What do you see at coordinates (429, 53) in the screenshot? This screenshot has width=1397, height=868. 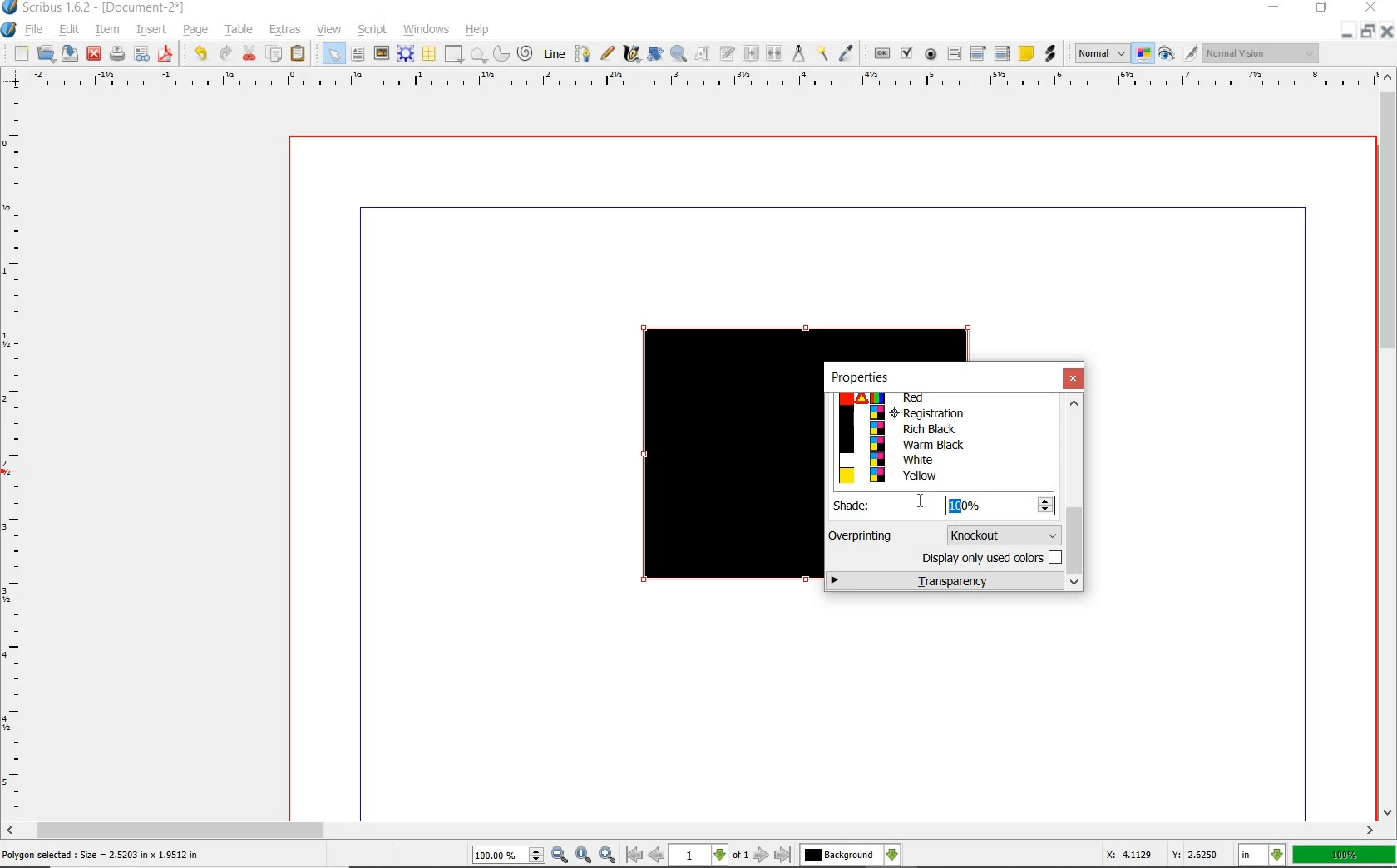 I see `table` at bounding box center [429, 53].